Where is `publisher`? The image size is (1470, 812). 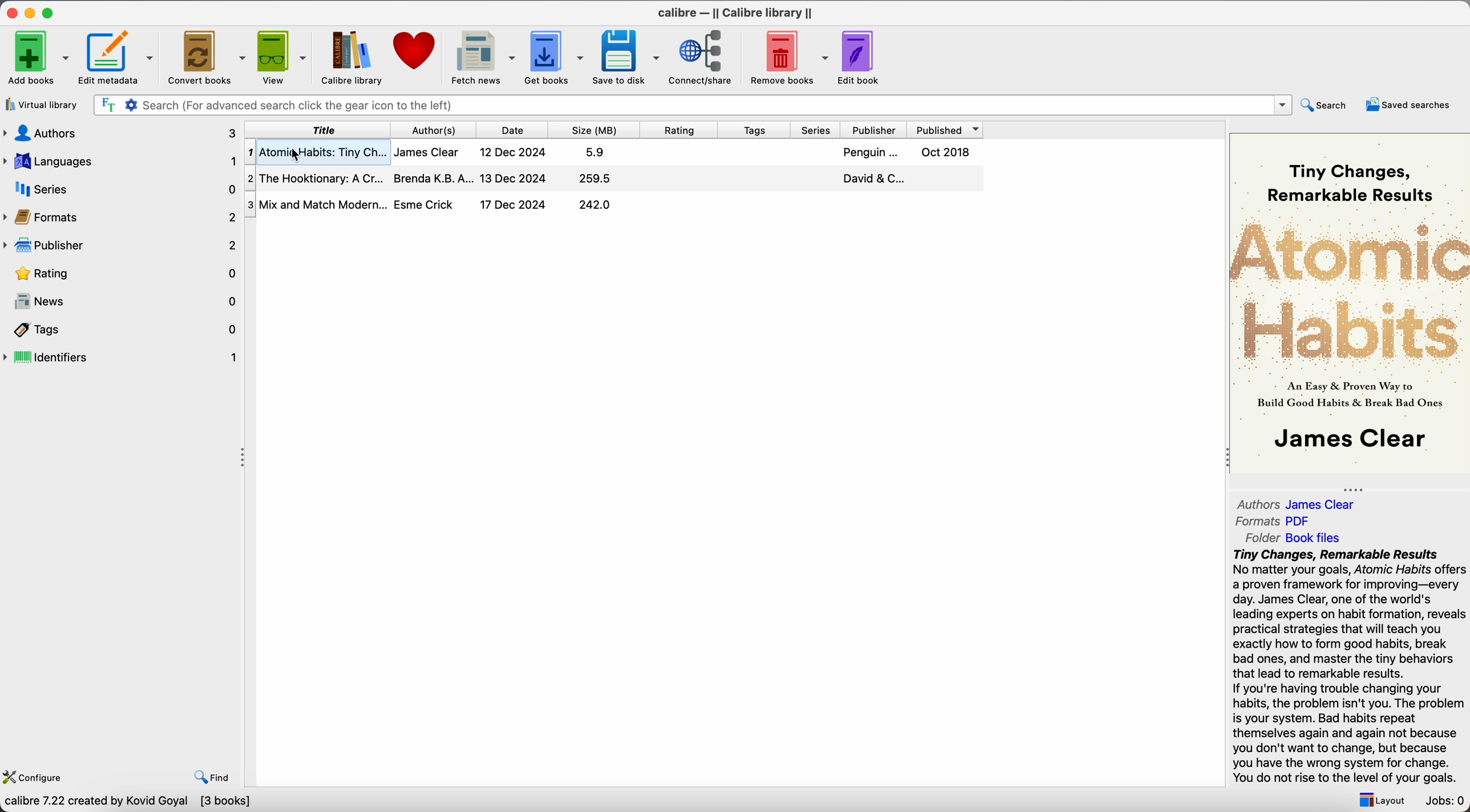 publisher is located at coordinates (119, 246).